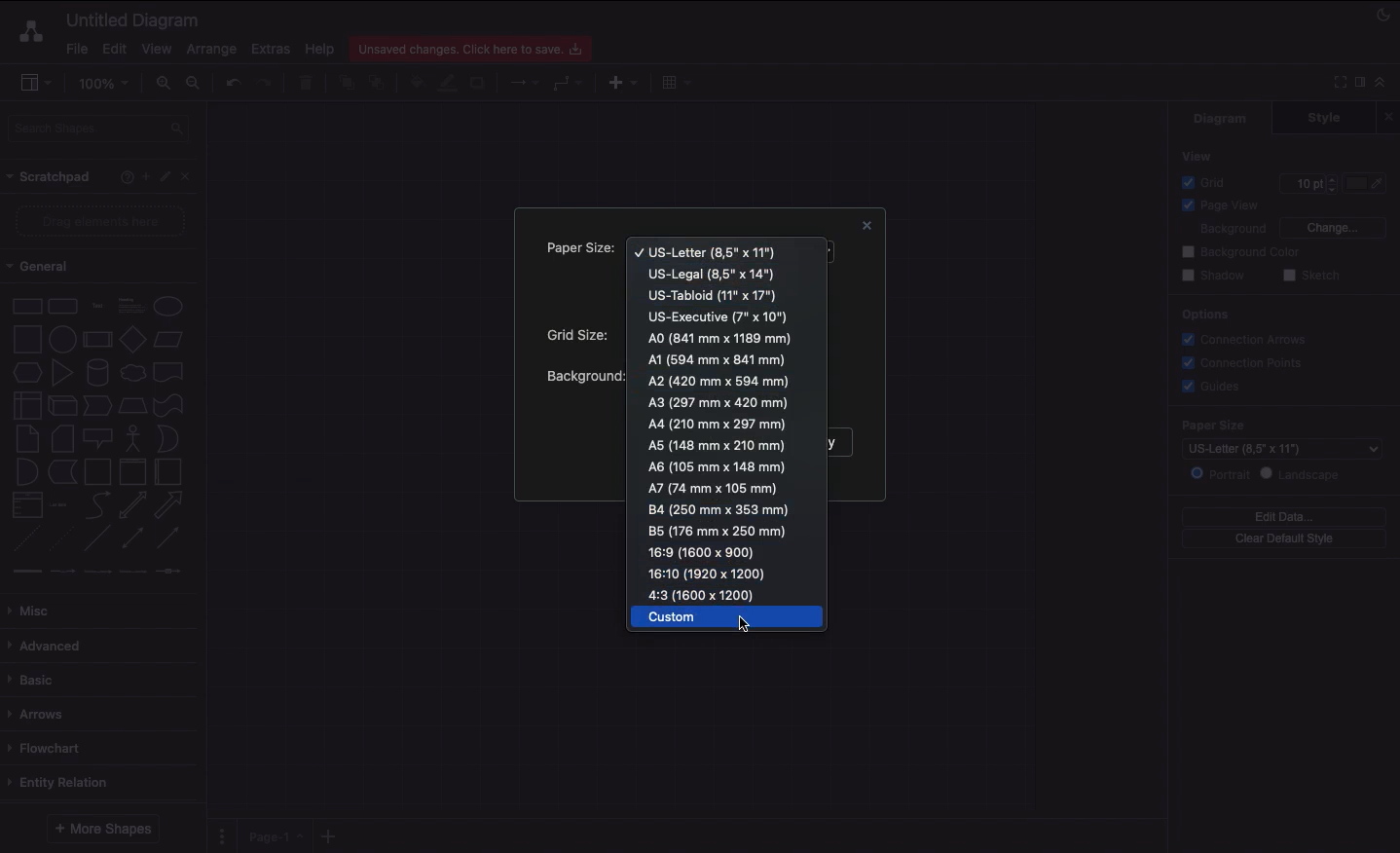  Describe the element at coordinates (169, 340) in the screenshot. I see `Parallelogram` at that location.